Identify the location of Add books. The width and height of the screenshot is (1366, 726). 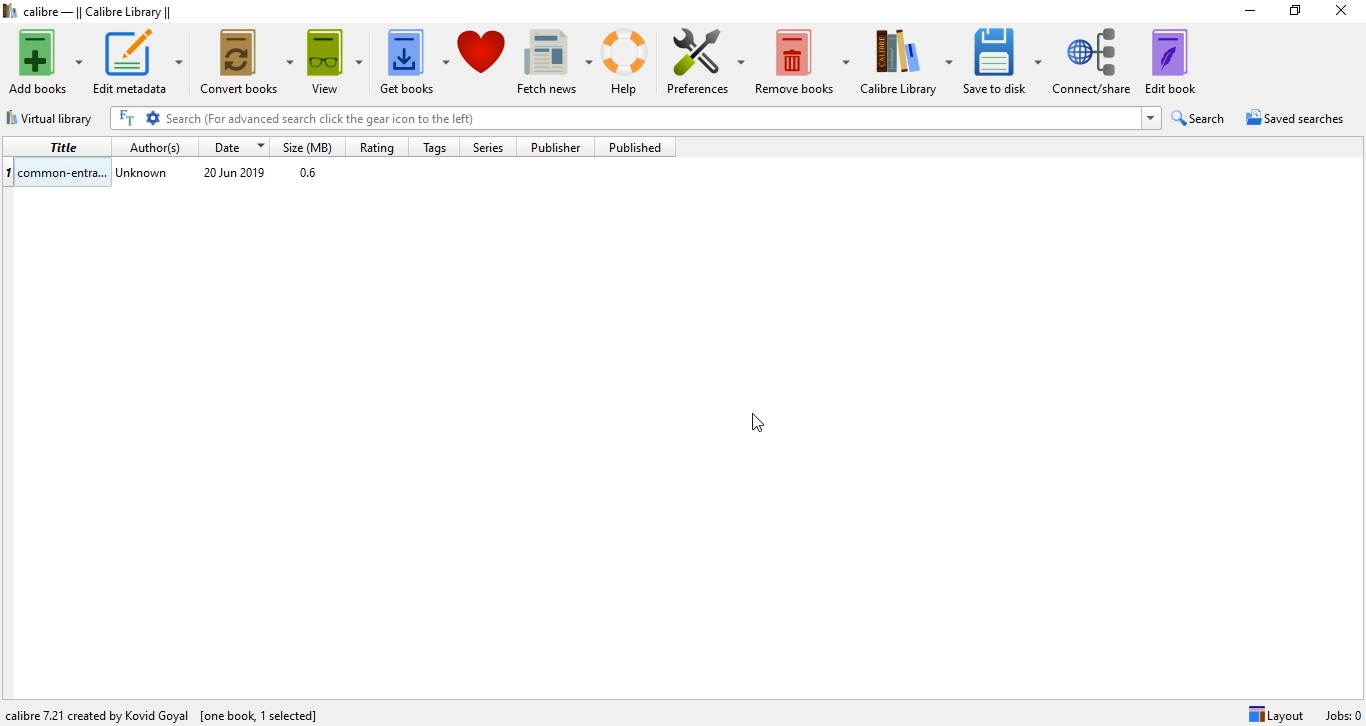
(44, 62).